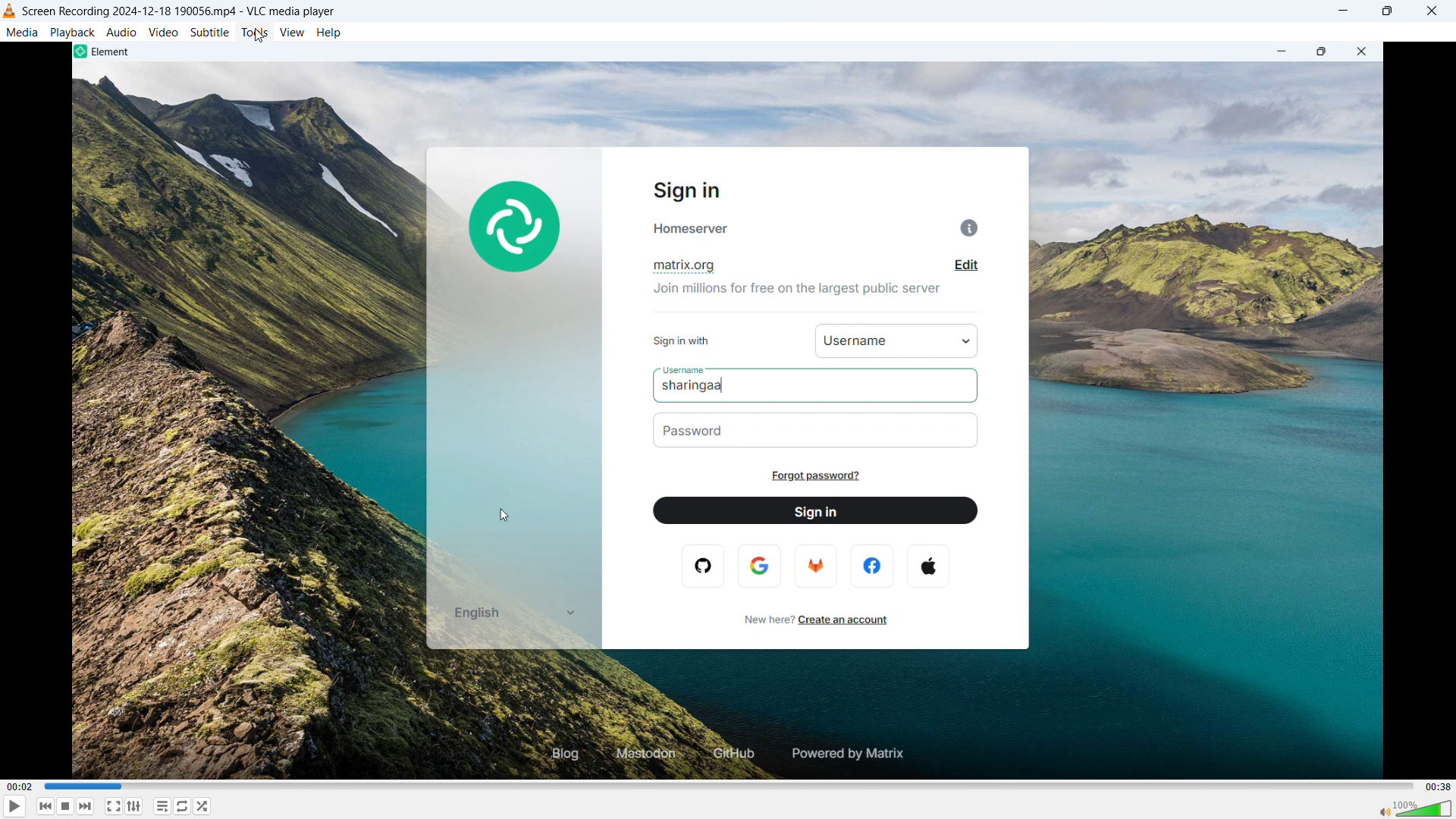 This screenshot has width=1456, height=819. What do you see at coordinates (86, 806) in the screenshot?
I see `forward or next media` at bounding box center [86, 806].